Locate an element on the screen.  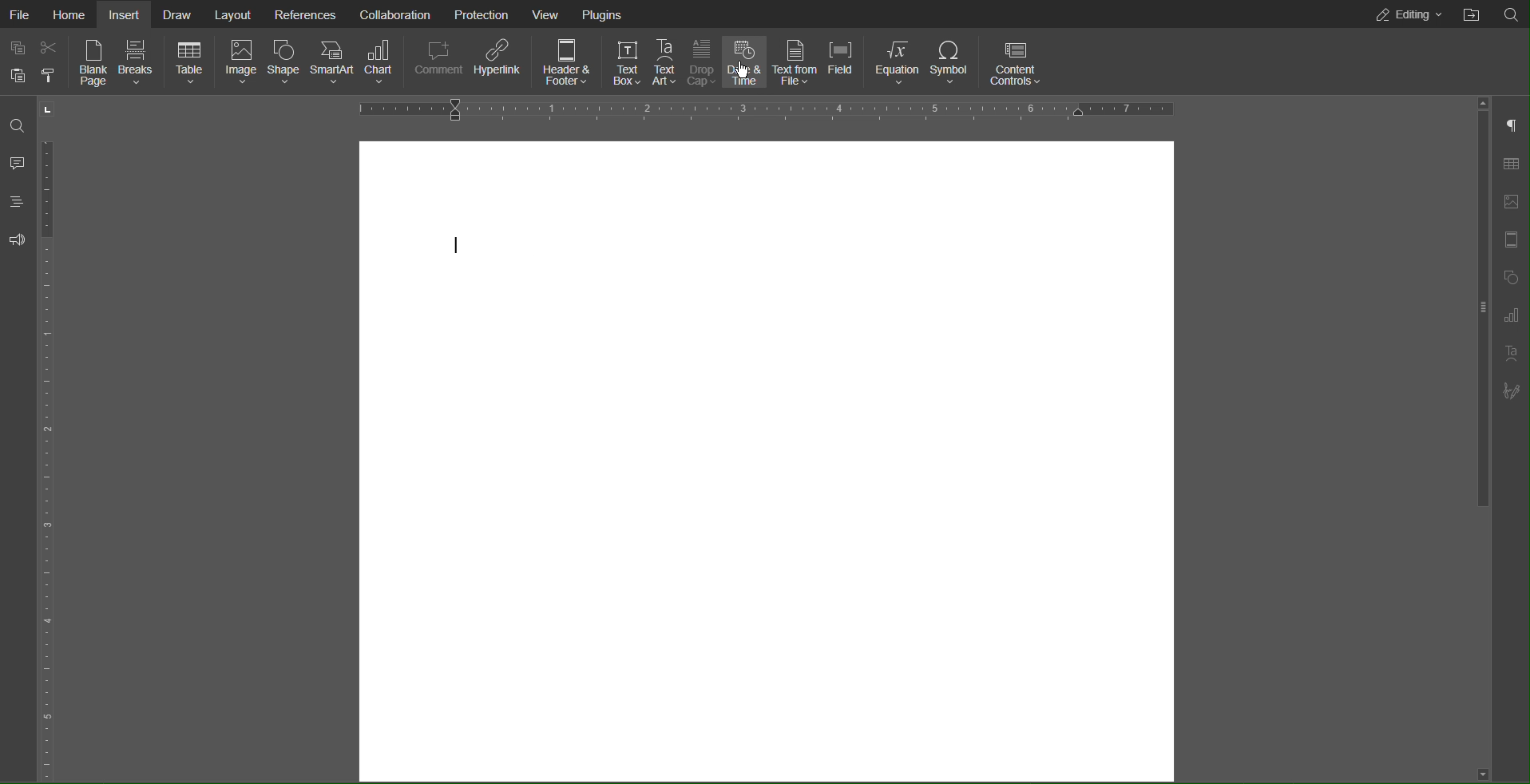
Comment is located at coordinates (442, 61).